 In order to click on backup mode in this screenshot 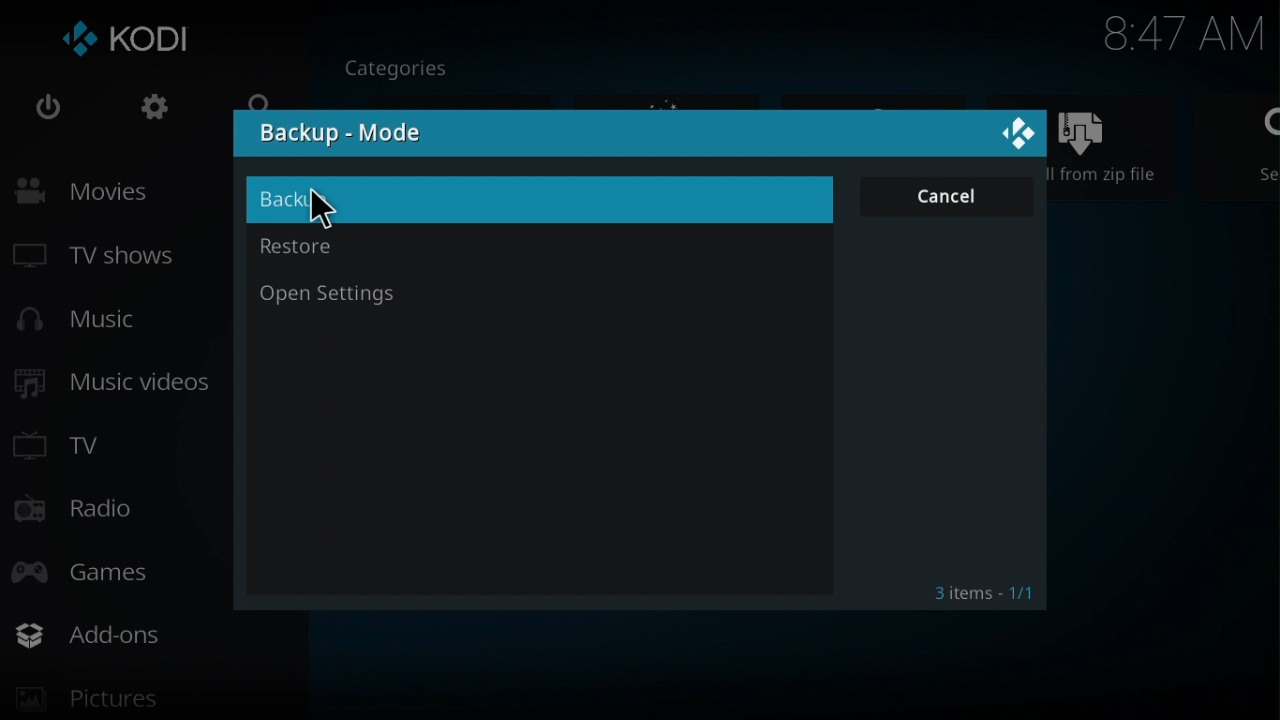, I will do `click(342, 133)`.